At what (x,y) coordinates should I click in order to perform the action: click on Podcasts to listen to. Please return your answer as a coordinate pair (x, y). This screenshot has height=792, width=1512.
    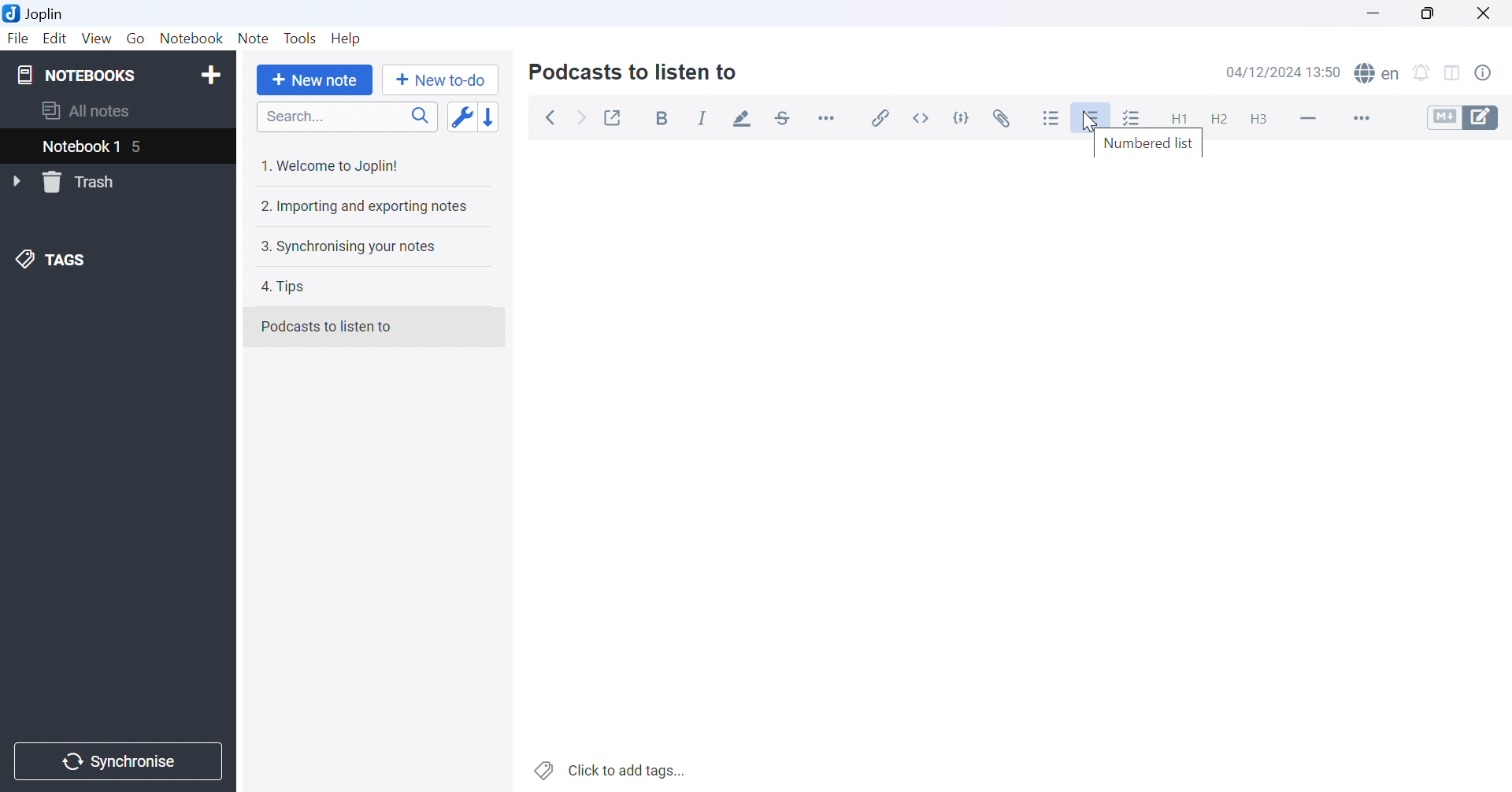
    Looking at the image, I should click on (328, 325).